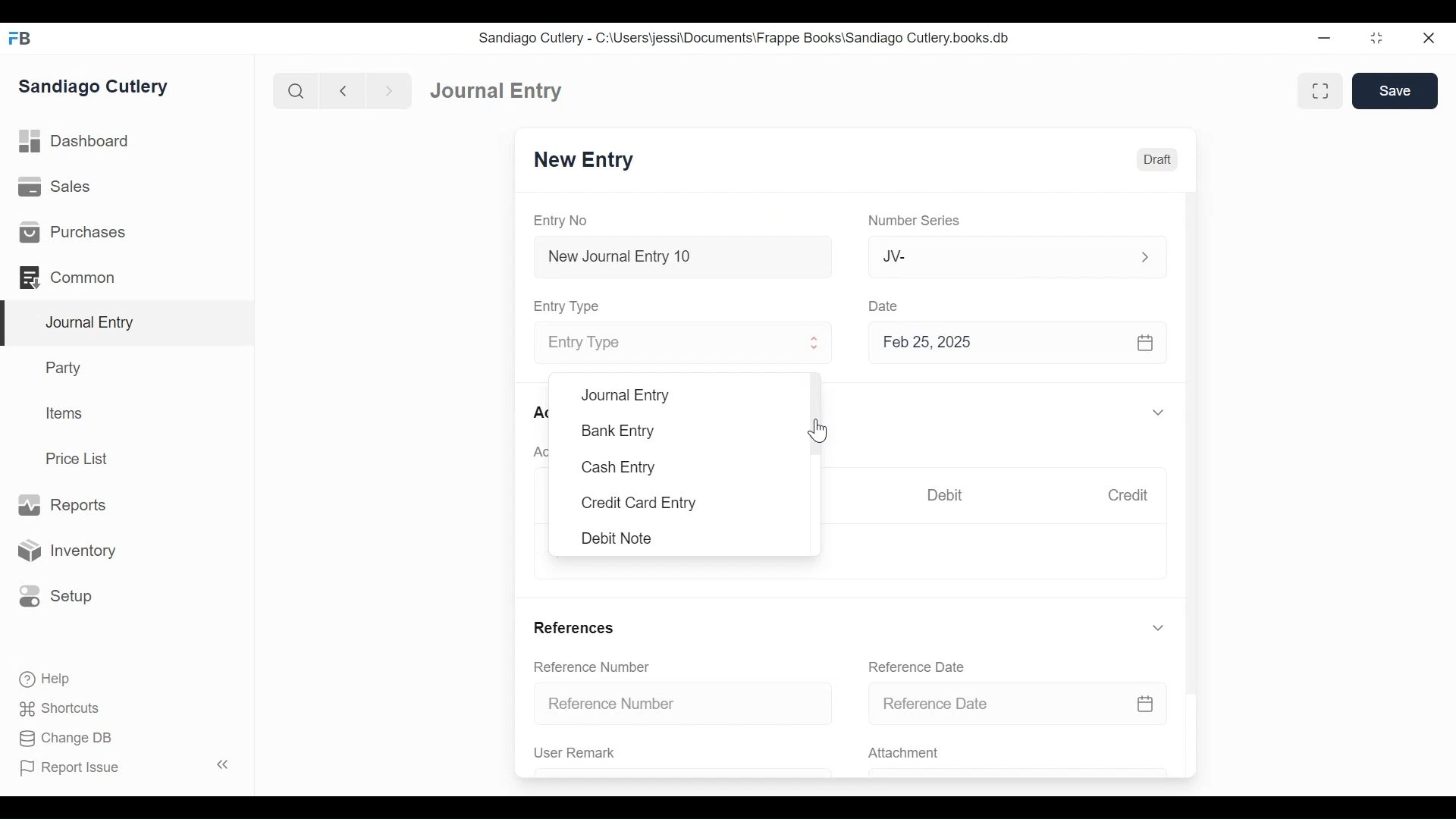 The image size is (1456, 819). Describe the element at coordinates (19, 38) in the screenshot. I see `Frappe Books Desktop icon` at that location.